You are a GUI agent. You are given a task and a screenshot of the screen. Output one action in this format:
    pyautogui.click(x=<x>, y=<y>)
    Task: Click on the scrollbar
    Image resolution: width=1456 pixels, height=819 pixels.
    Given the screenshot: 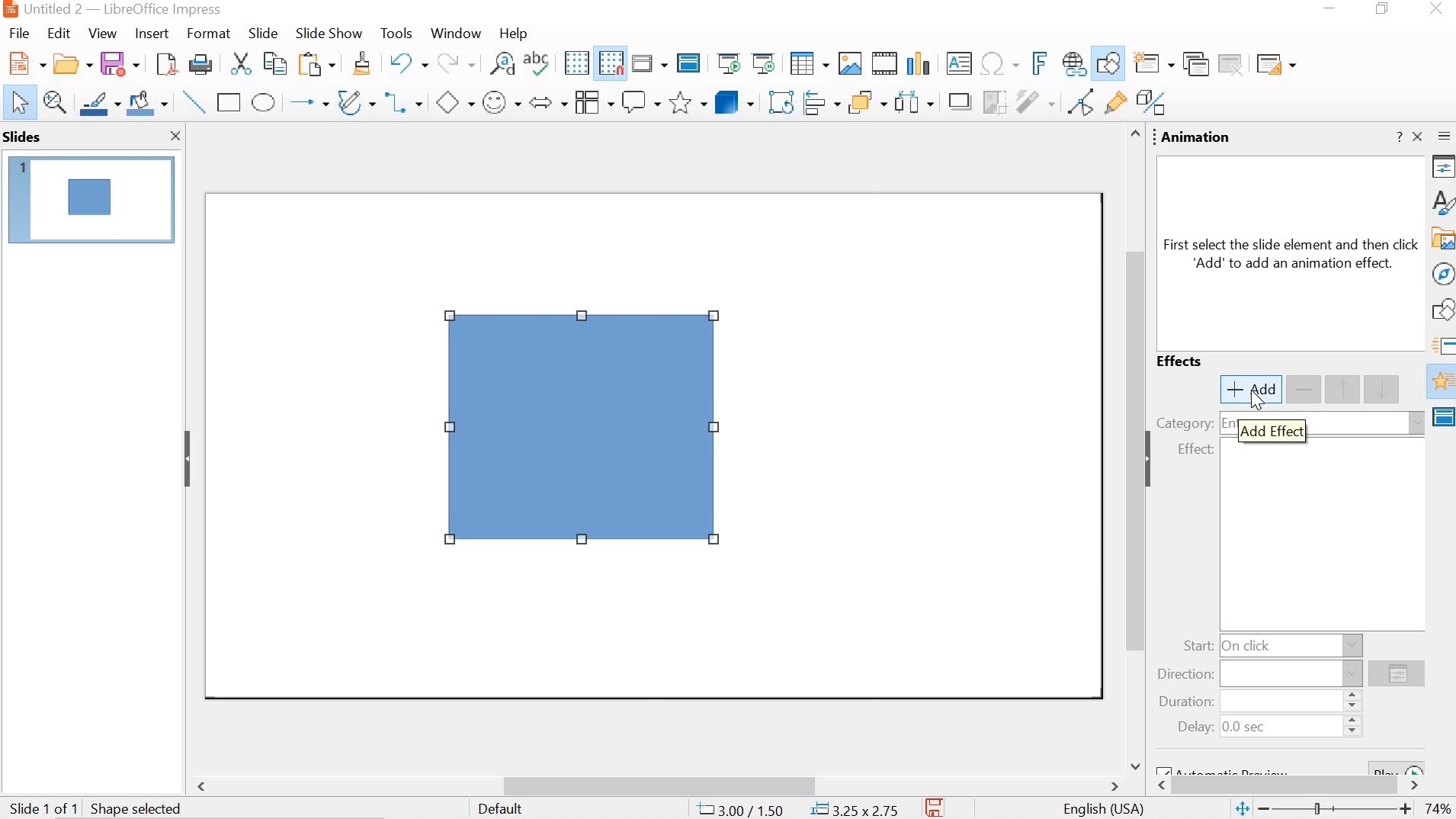 What is the action you would take?
    pyautogui.click(x=1295, y=787)
    